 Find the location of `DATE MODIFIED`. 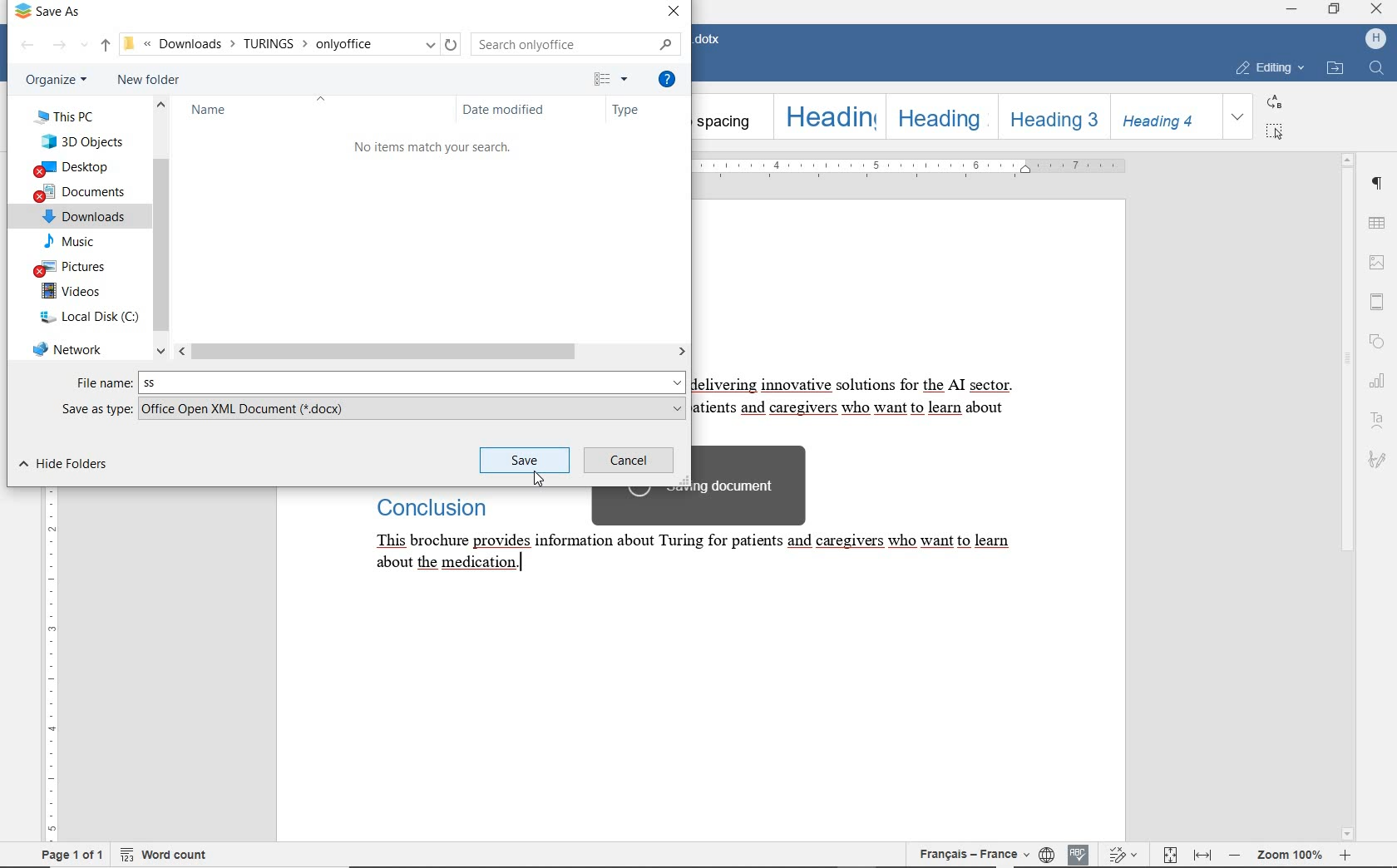

DATE MODIFIED is located at coordinates (515, 111).